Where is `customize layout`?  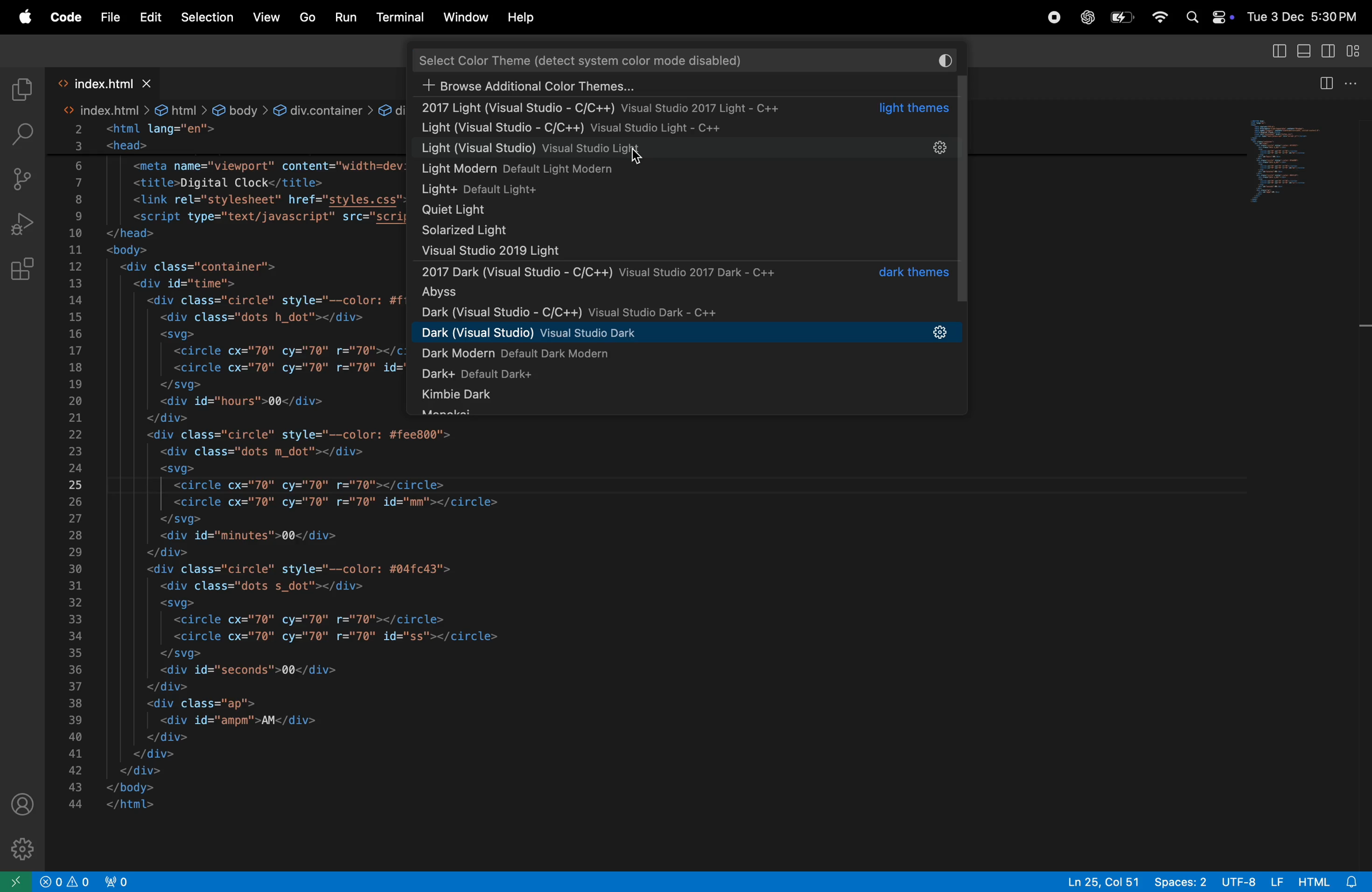
customize layout is located at coordinates (1358, 52).